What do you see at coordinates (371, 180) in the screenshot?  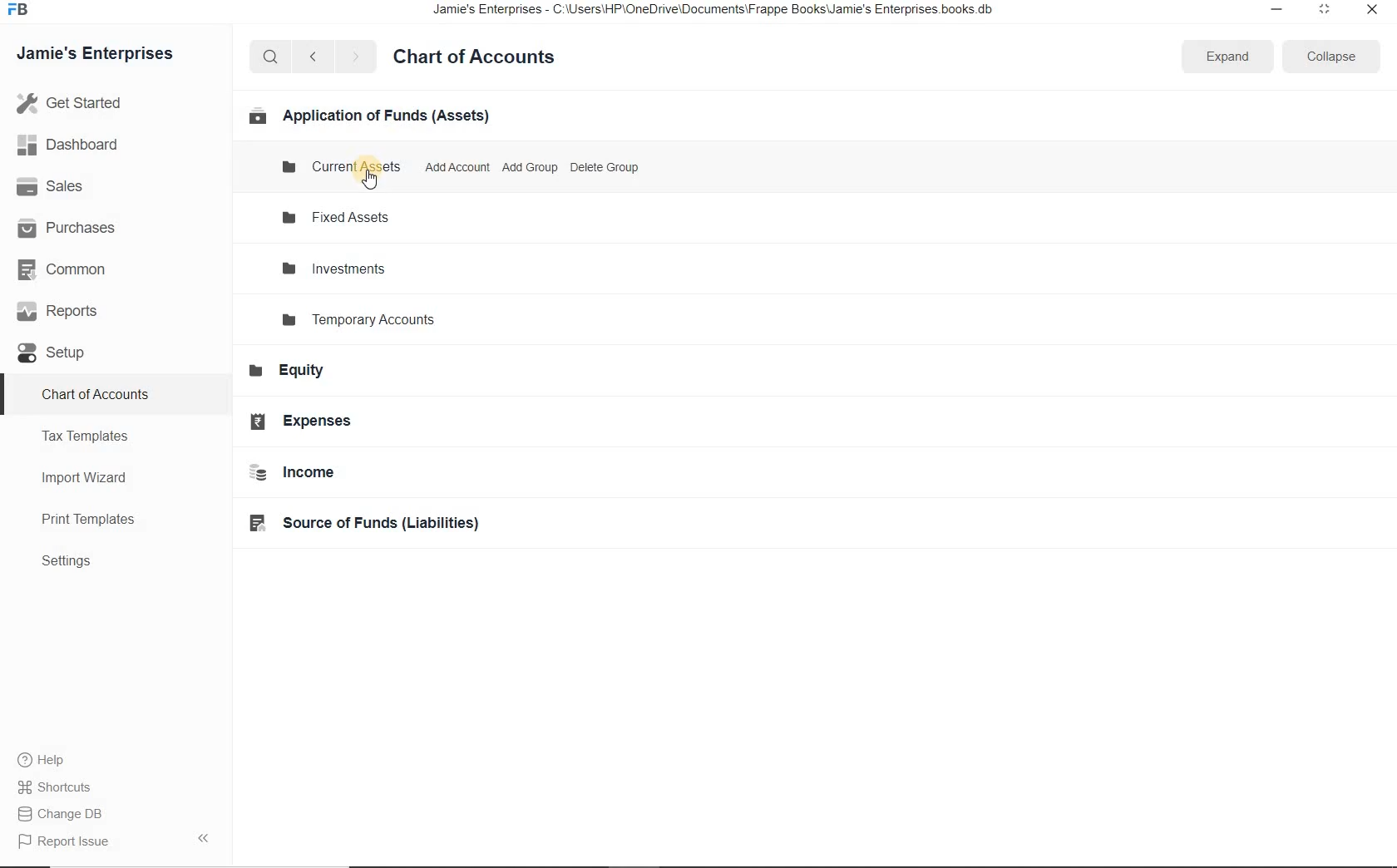 I see `cursor` at bounding box center [371, 180].